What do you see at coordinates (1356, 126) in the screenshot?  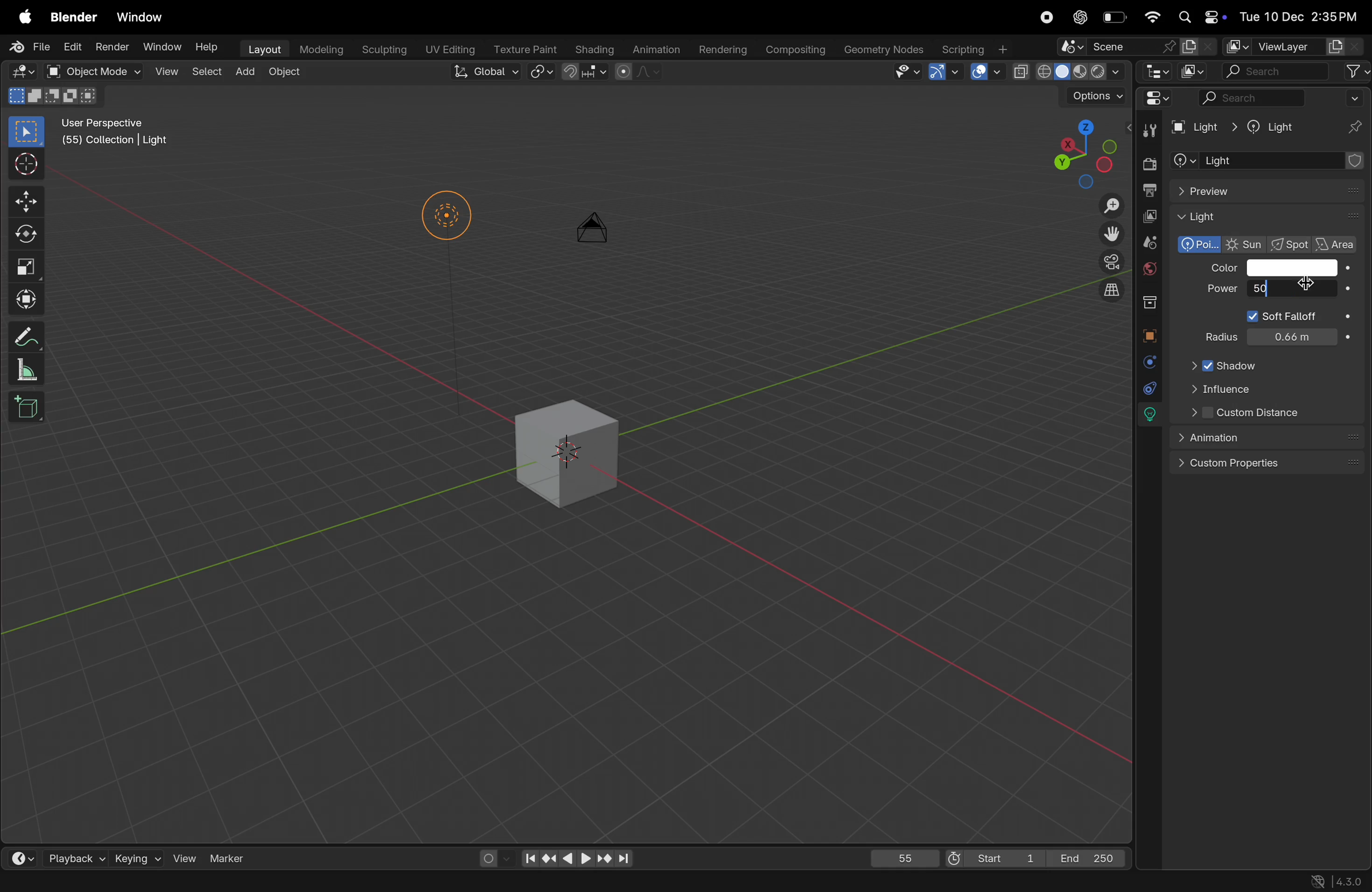 I see `pins` at bounding box center [1356, 126].